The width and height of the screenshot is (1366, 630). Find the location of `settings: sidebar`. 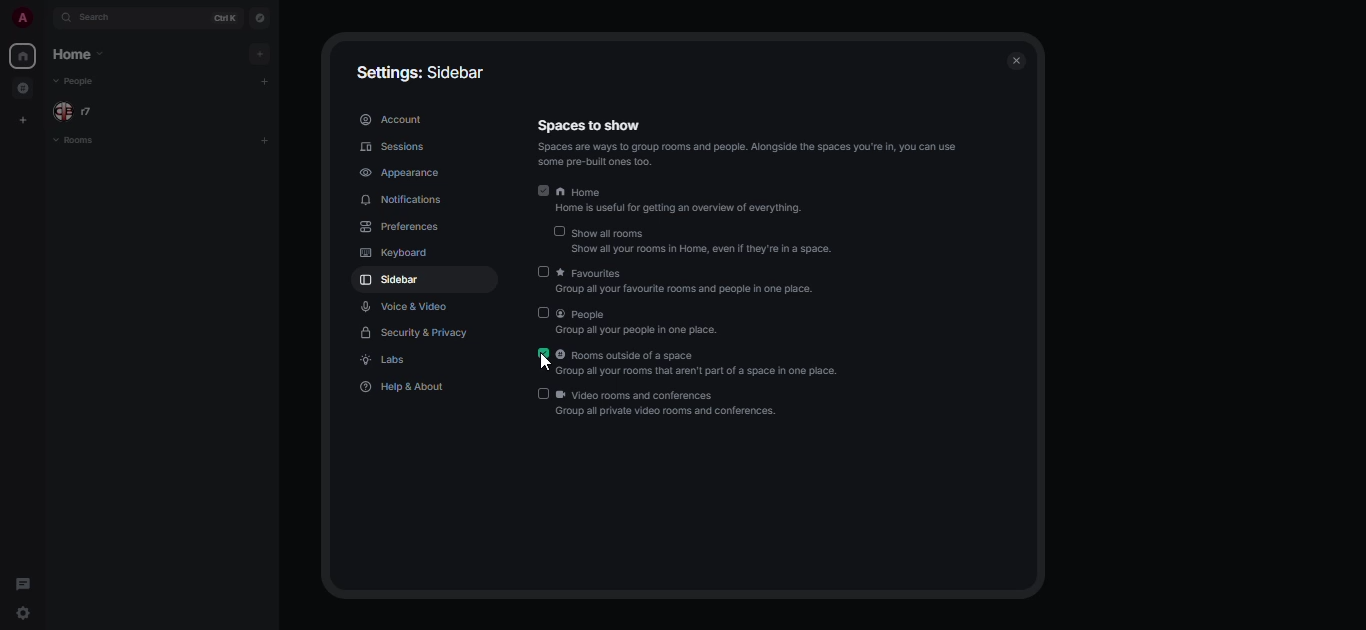

settings: sidebar is located at coordinates (413, 72).